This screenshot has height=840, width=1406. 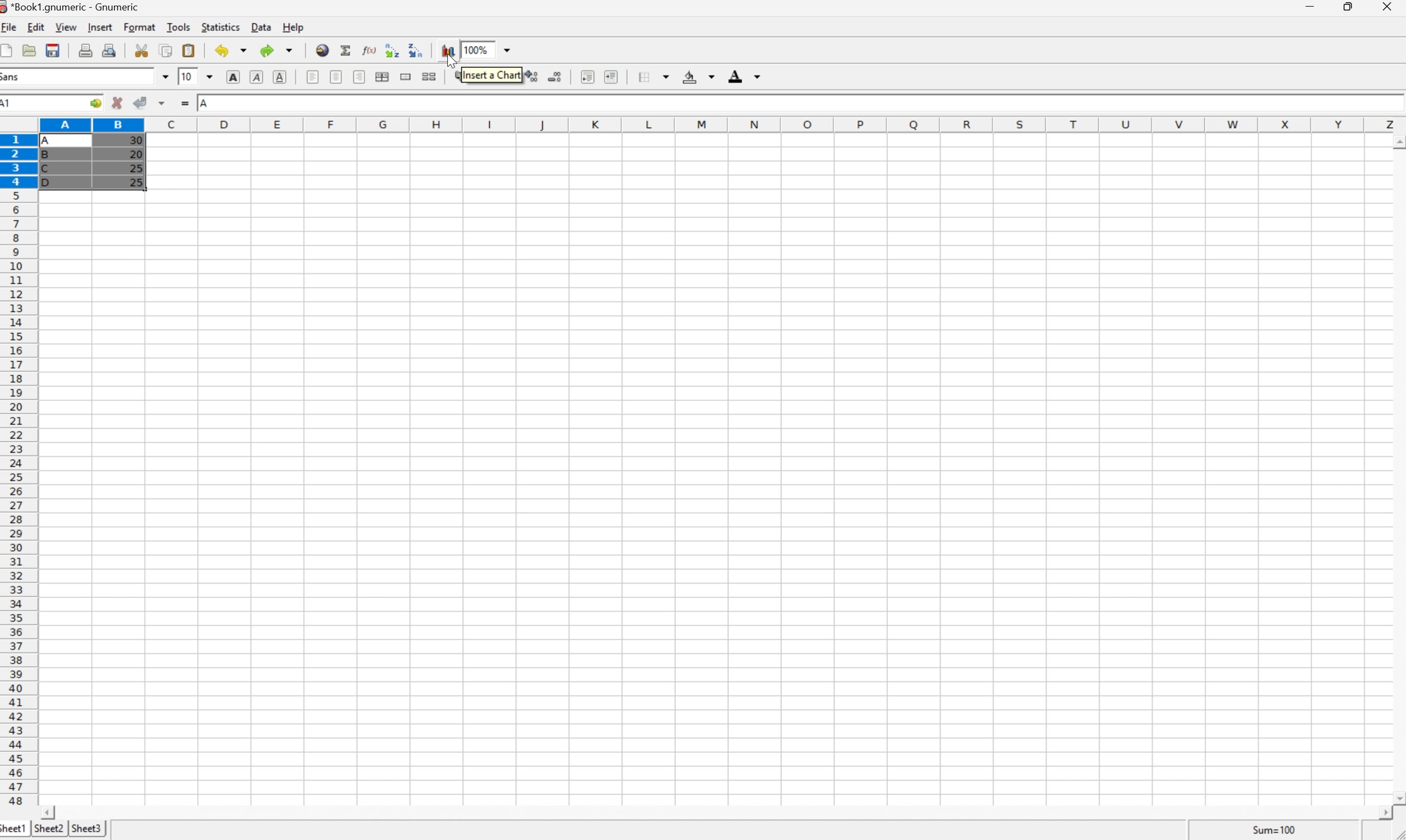 What do you see at coordinates (144, 50) in the screenshot?
I see `Cut the selection` at bounding box center [144, 50].